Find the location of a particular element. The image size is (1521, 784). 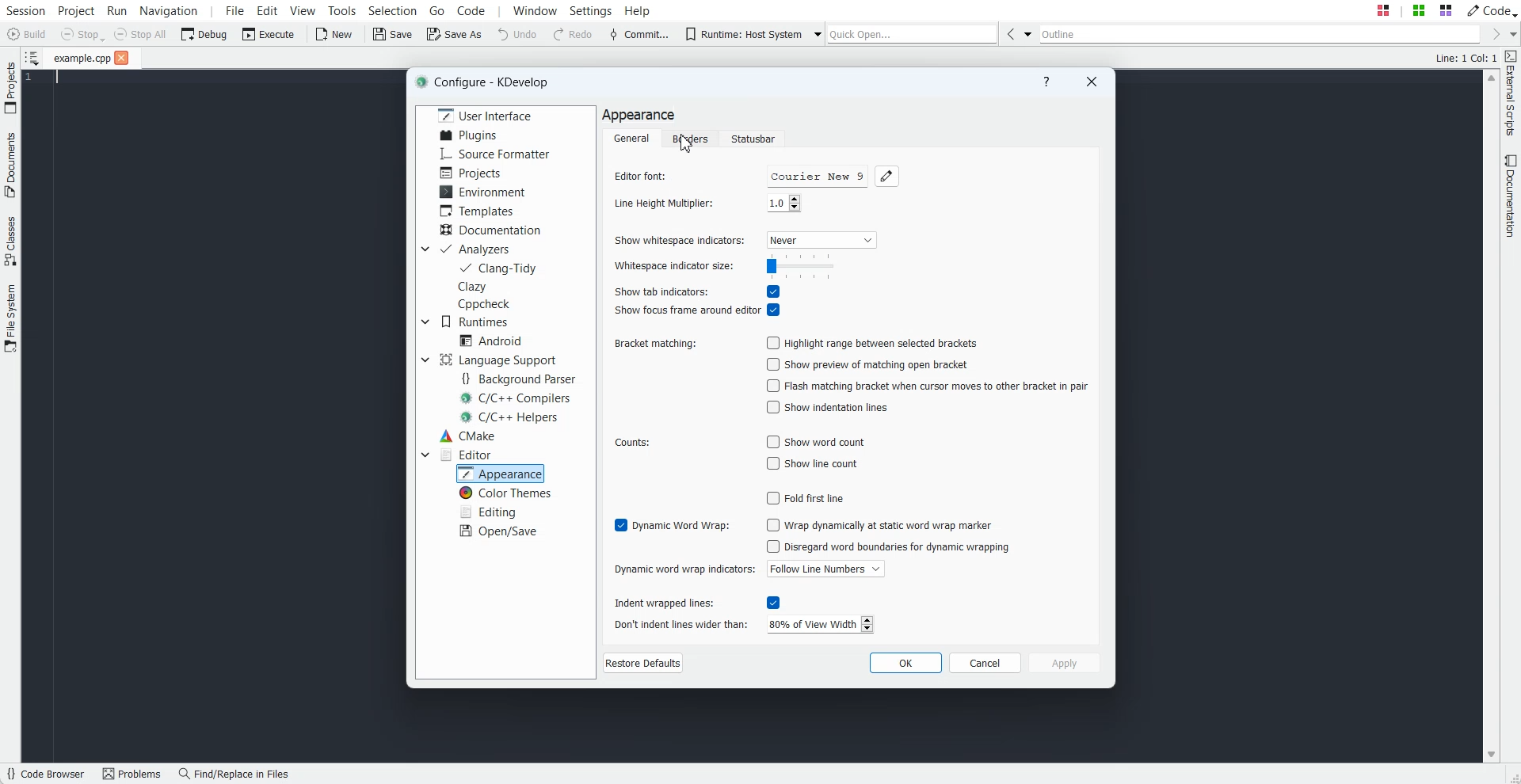

Projects is located at coordinates (474, 172).